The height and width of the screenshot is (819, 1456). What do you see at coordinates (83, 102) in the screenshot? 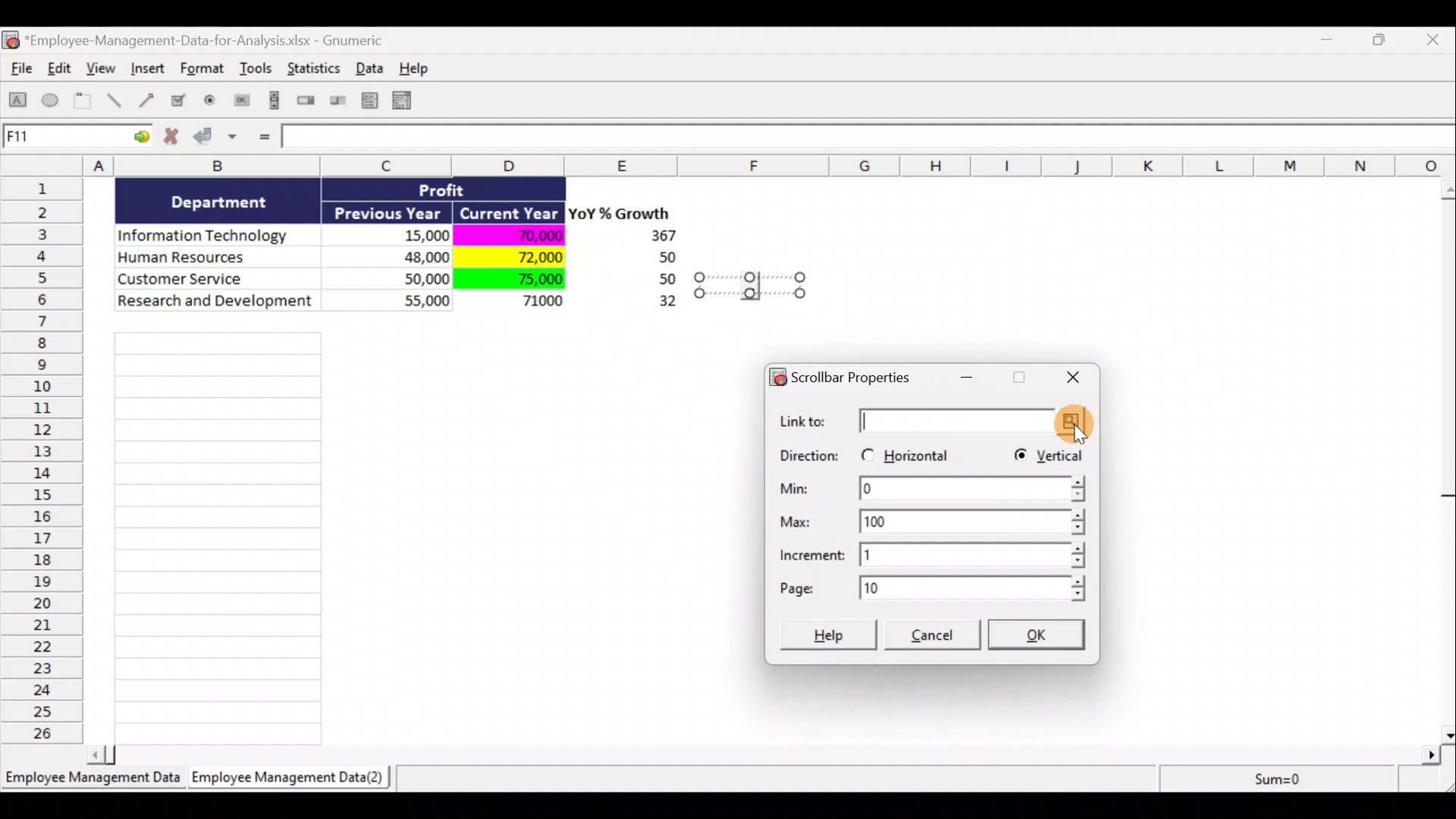
I see `Create a frame` at bounding box center [83, 102].